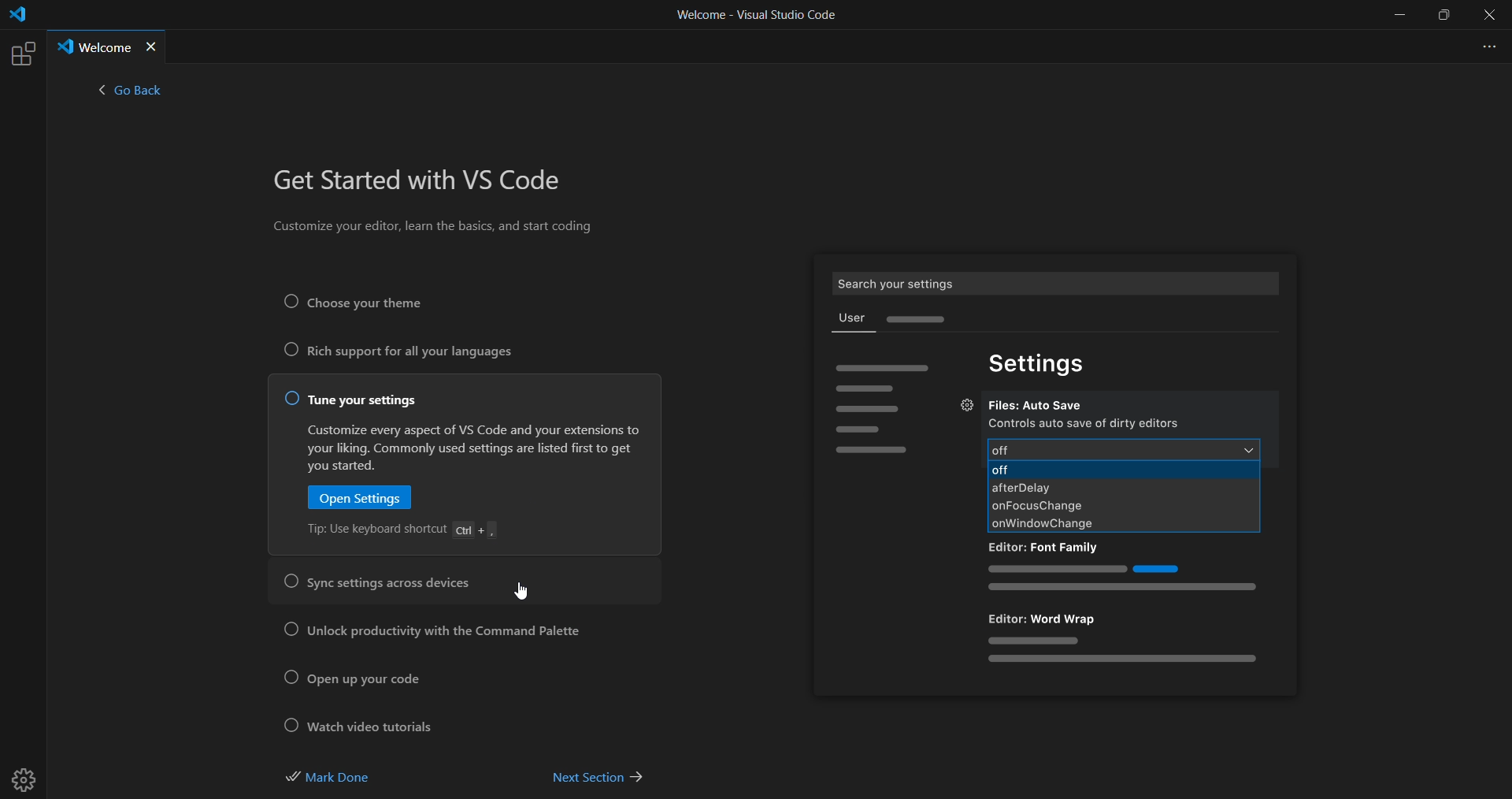 The width and height of the screenshot is (1512, 799). I want to click on sample, so click(918, 321).